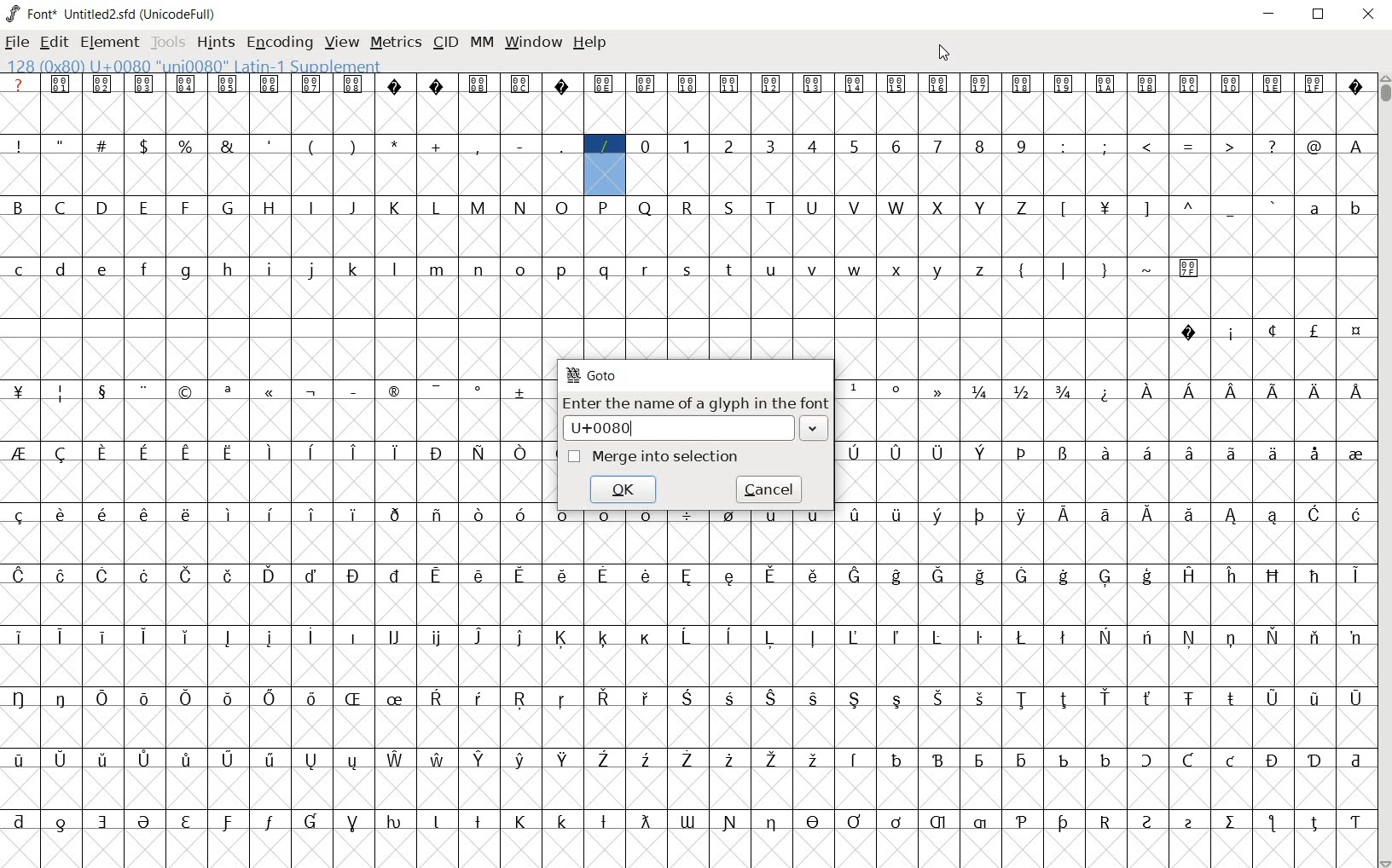  Describe the element at coordinates (811, 145) in the screenshot. I see `glyph` at that location.